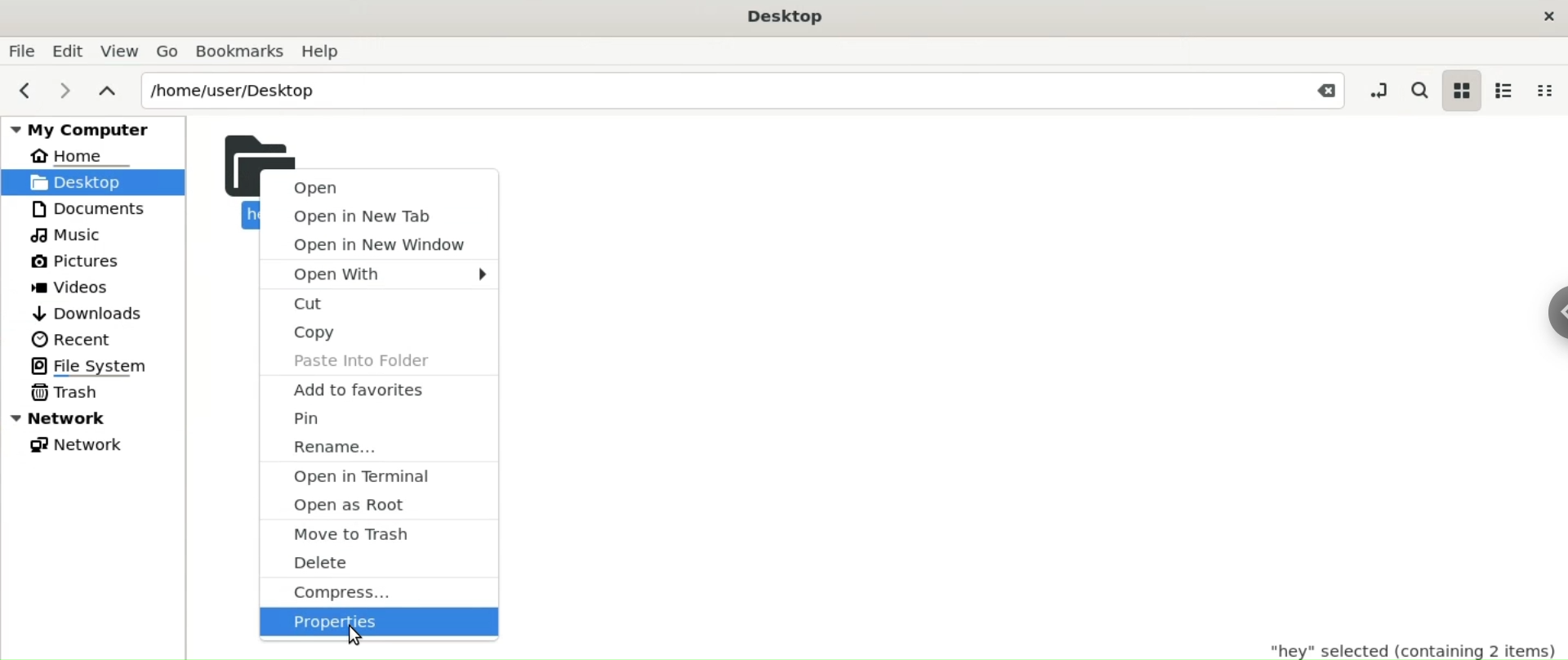 This screenshot has height=660, width=1568. Describe the element at coordinates (321, 51) in the screenshot. I see `Help` at that location.